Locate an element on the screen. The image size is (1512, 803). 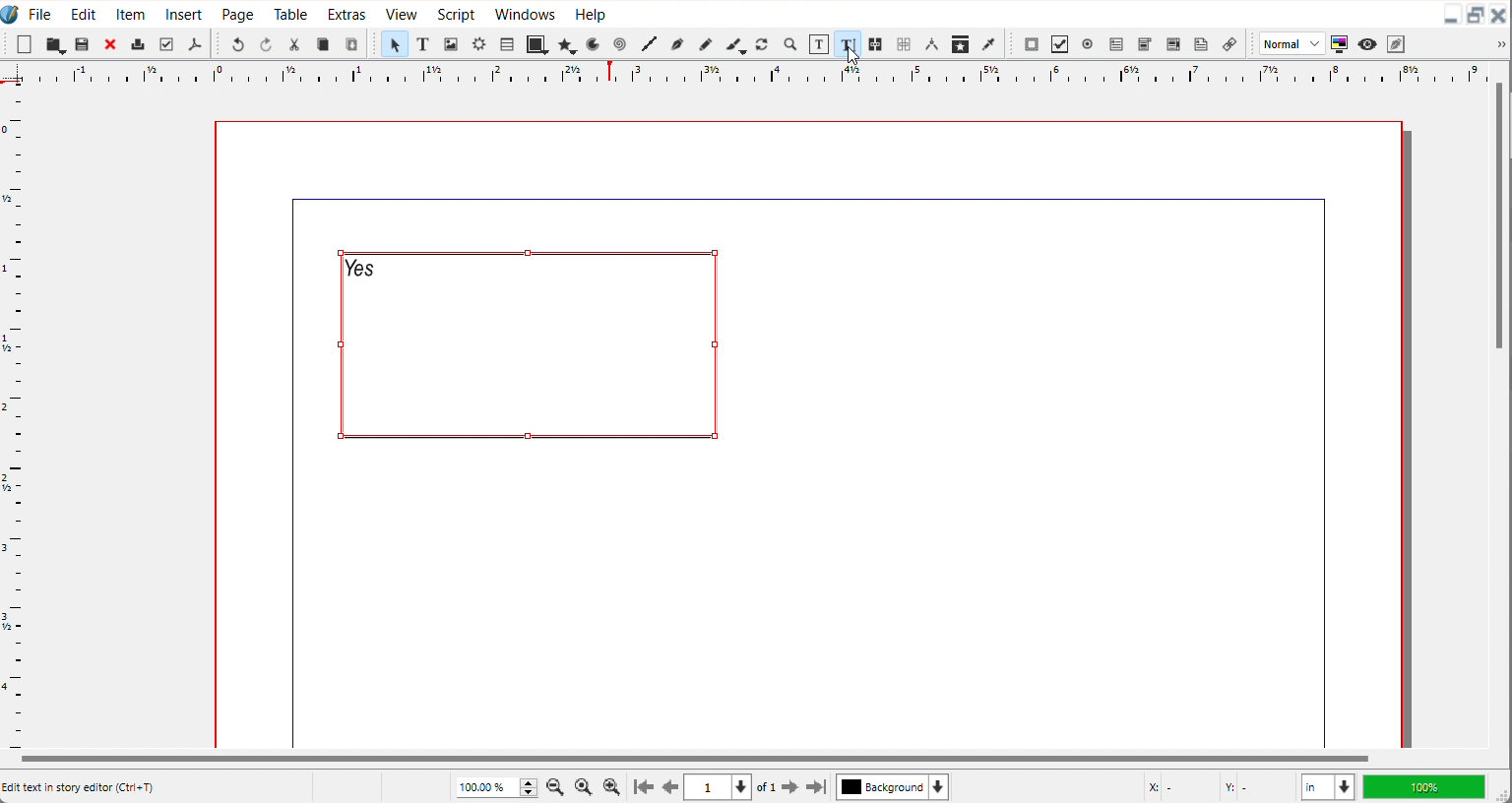
Eye Dropper is located at coordinates (990, 43).